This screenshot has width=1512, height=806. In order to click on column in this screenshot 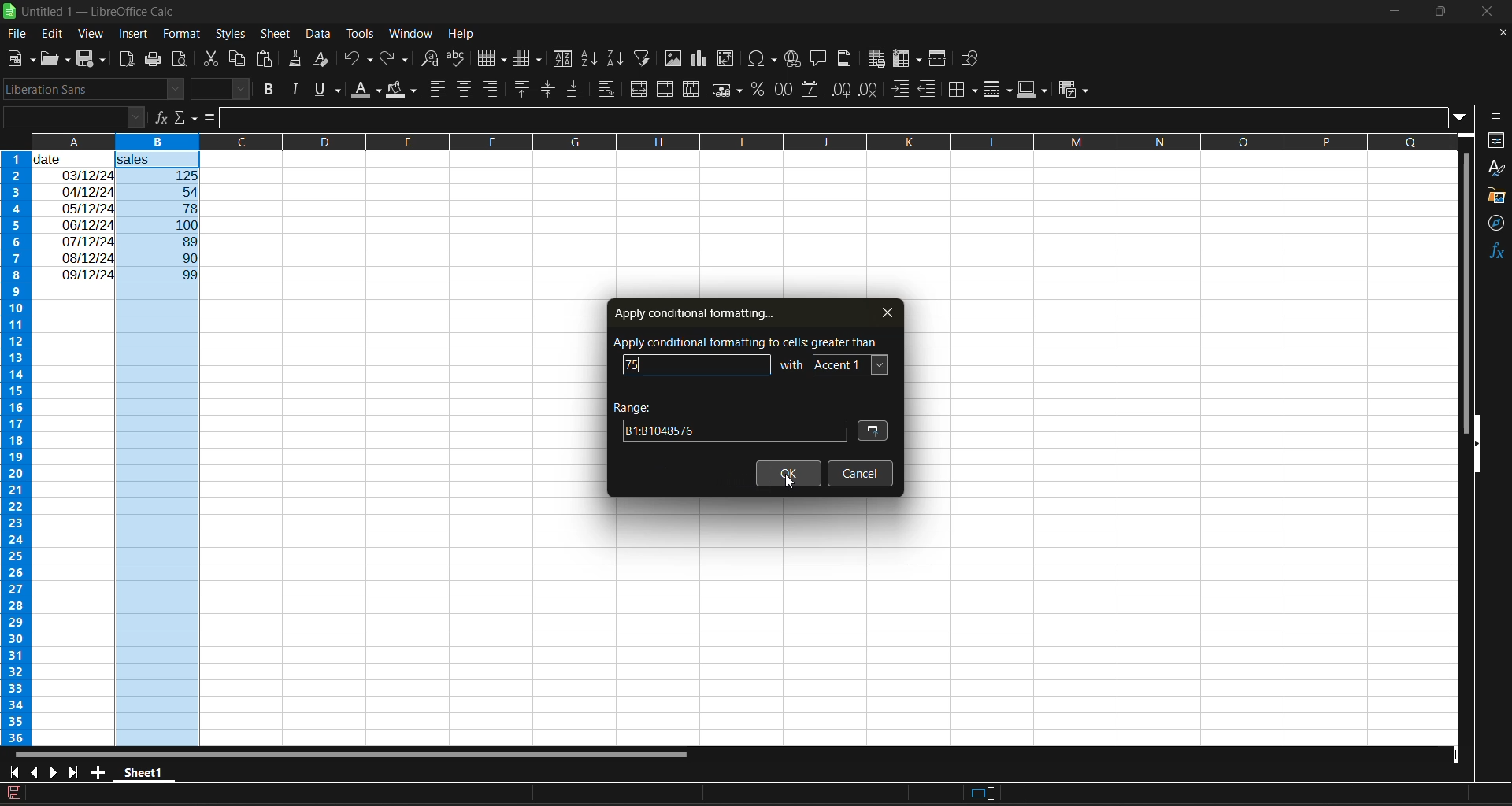, I will do `click(530, 59)`.